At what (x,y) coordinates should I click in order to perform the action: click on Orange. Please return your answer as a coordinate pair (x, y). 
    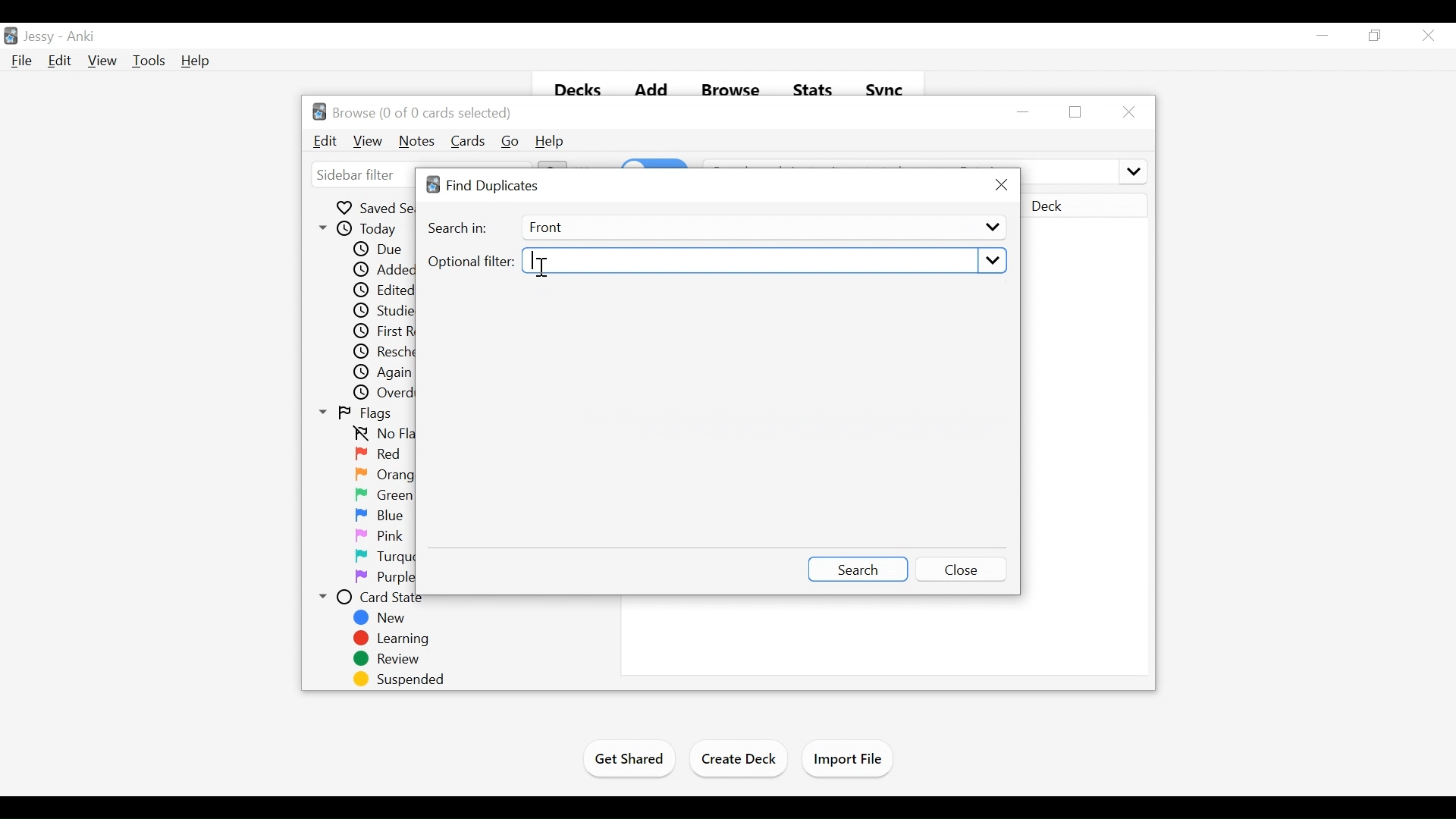
    Looking at the image, I should click on (385, 474).